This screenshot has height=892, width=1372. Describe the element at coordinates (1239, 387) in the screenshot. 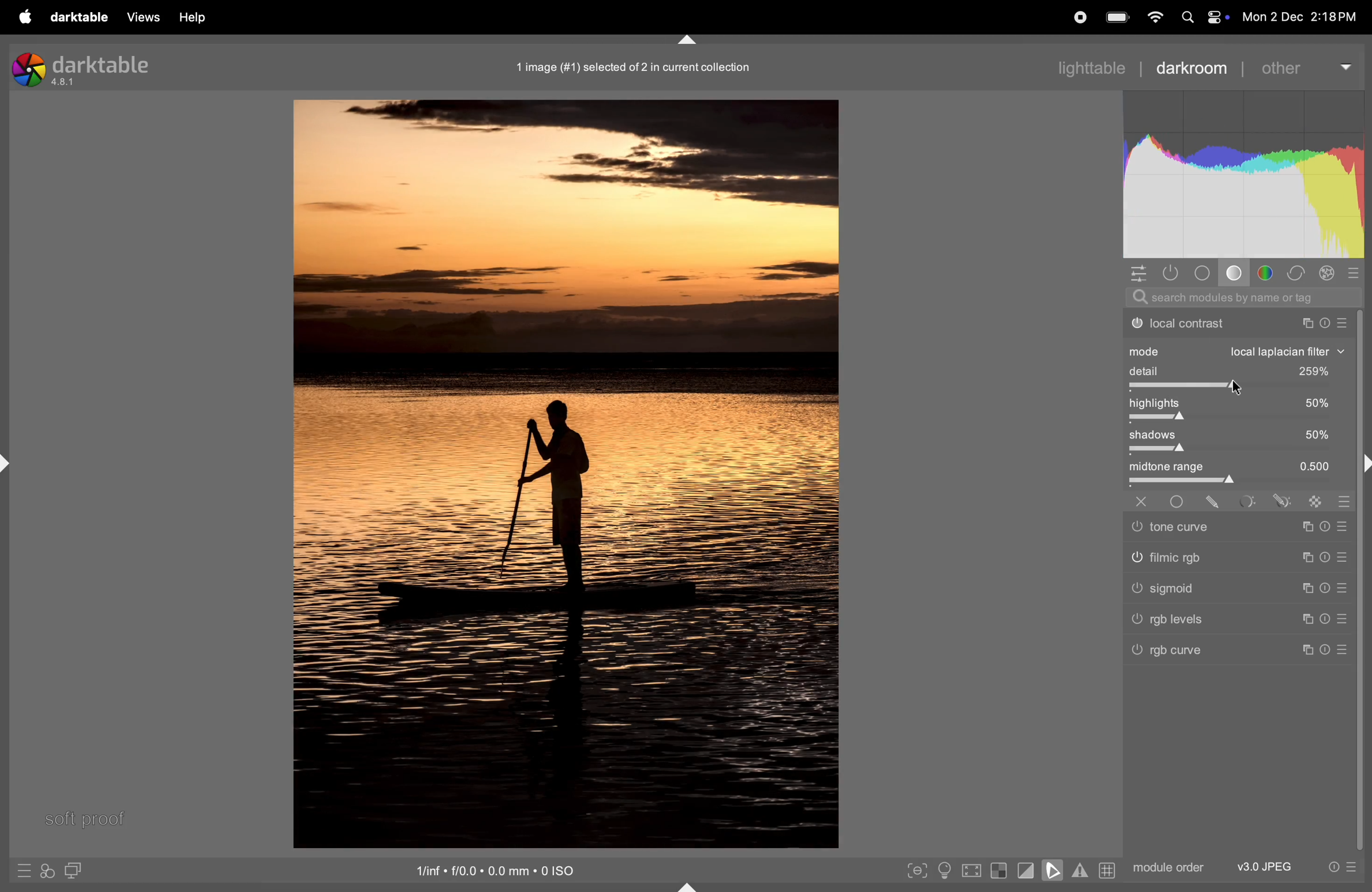

I see `curosr` at that location.